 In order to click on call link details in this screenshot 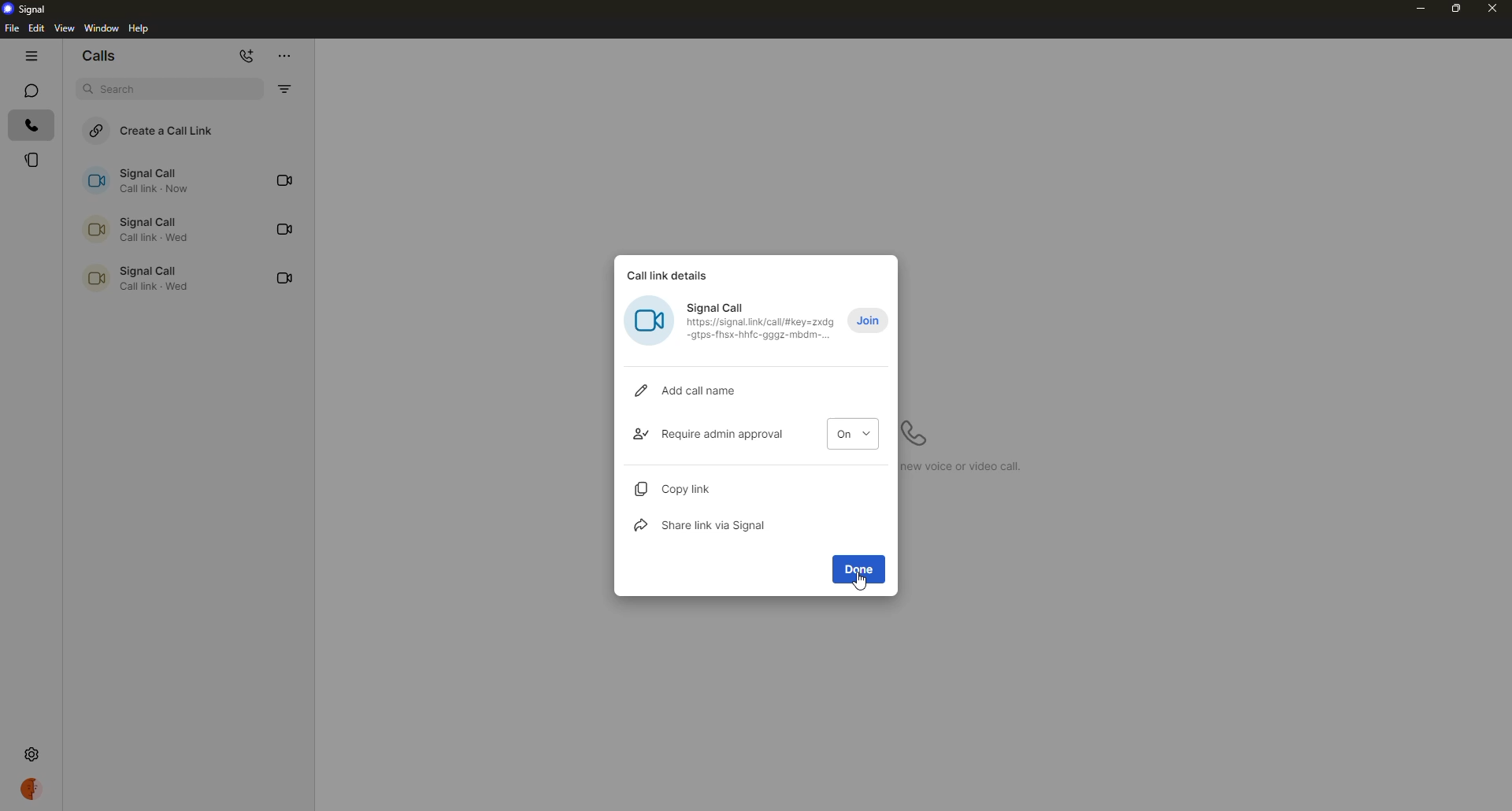, I will do `click(668, 276)`.